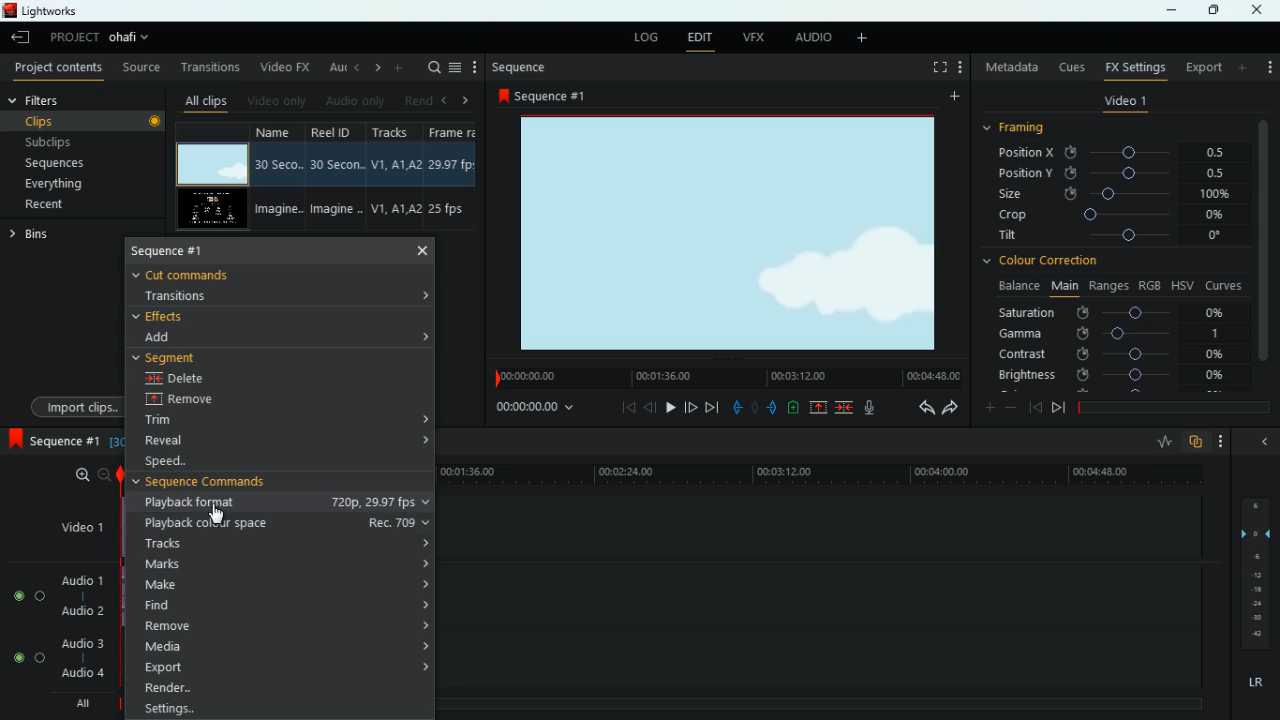  Describe the element at coordinates (186, 421) in the screenshot. I see `trim` at that location.